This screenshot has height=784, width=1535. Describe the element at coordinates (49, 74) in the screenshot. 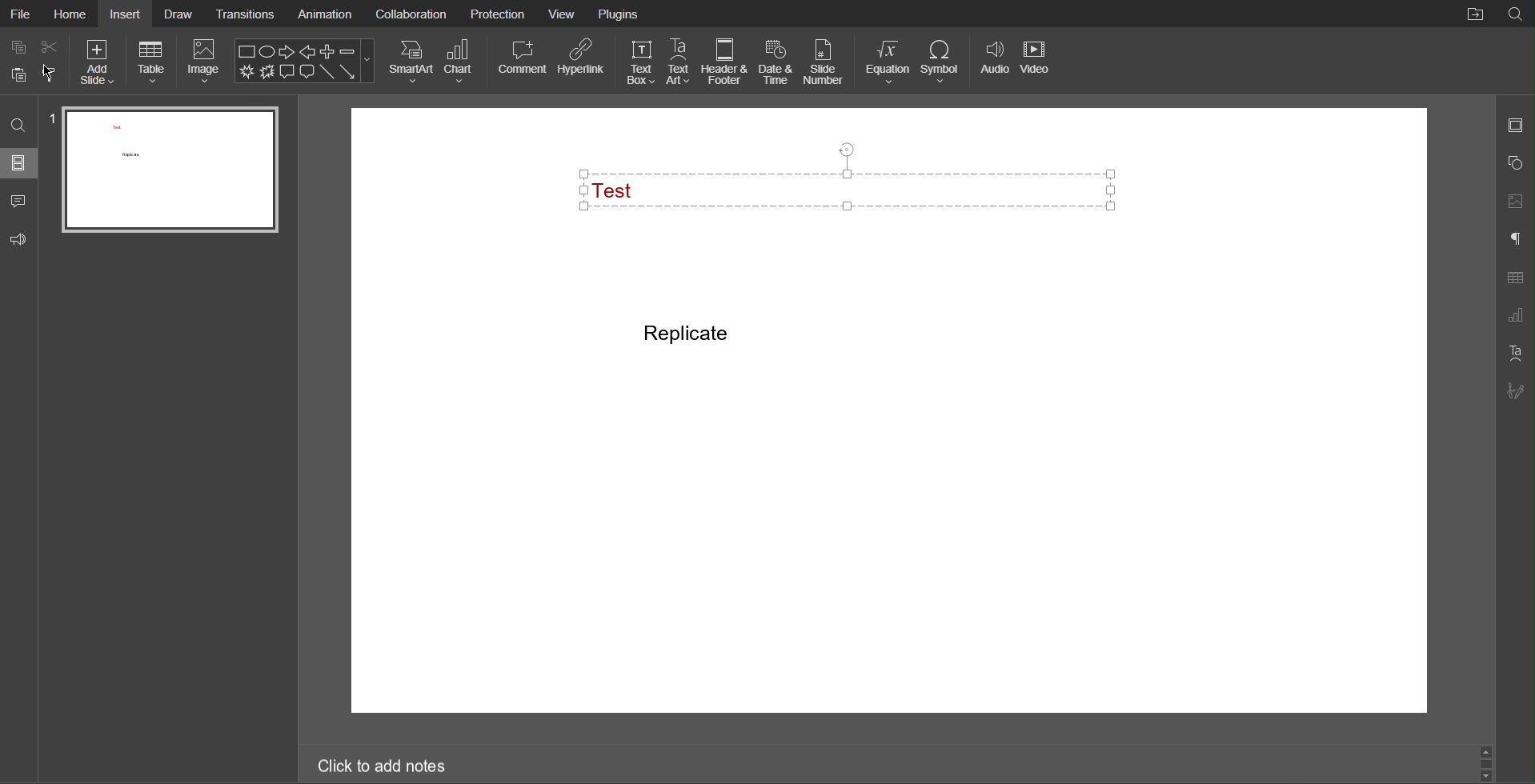

I see `Cursor` at that location.